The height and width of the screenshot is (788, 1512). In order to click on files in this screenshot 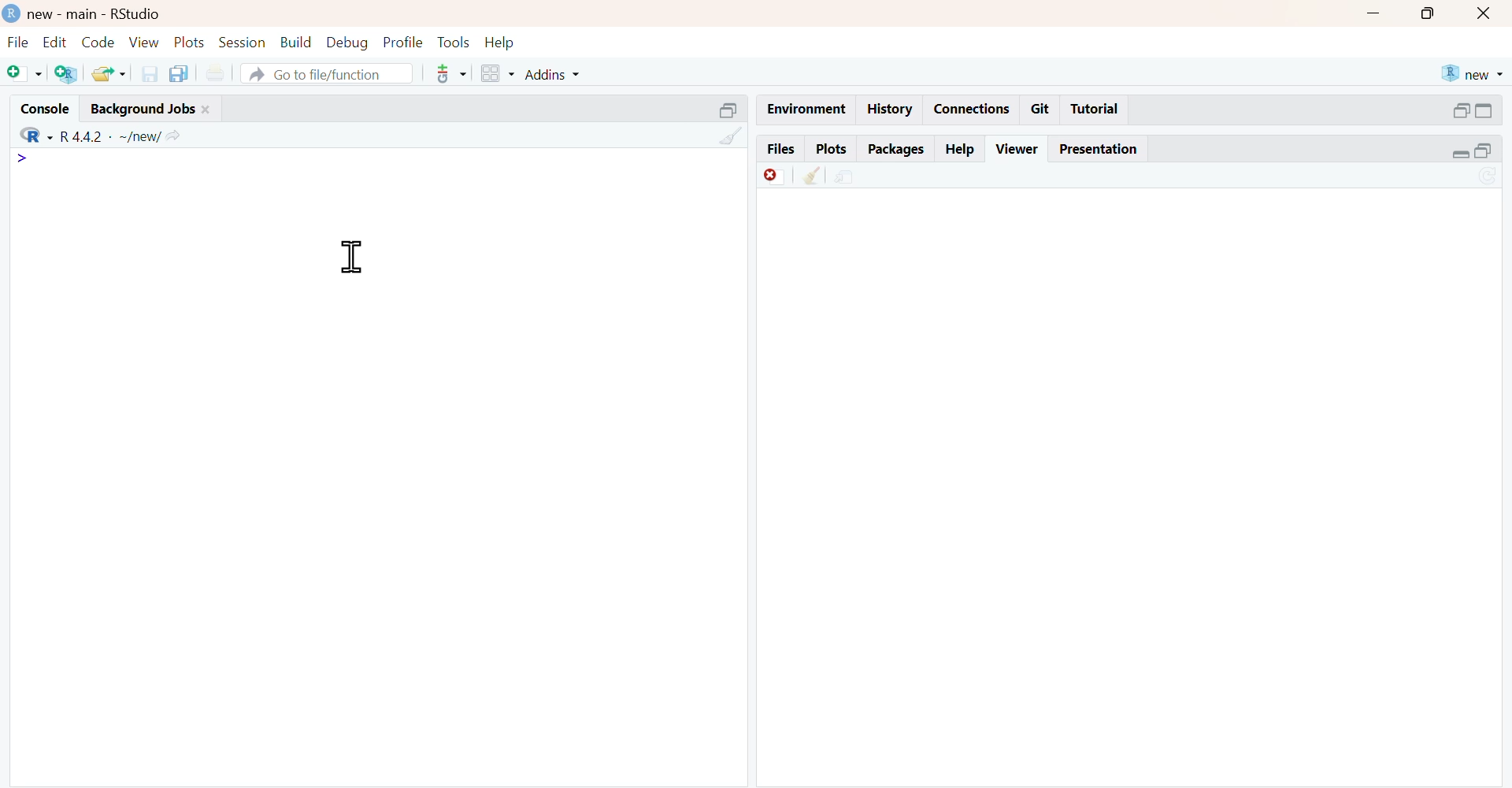, I will do `click(781, 147)`.